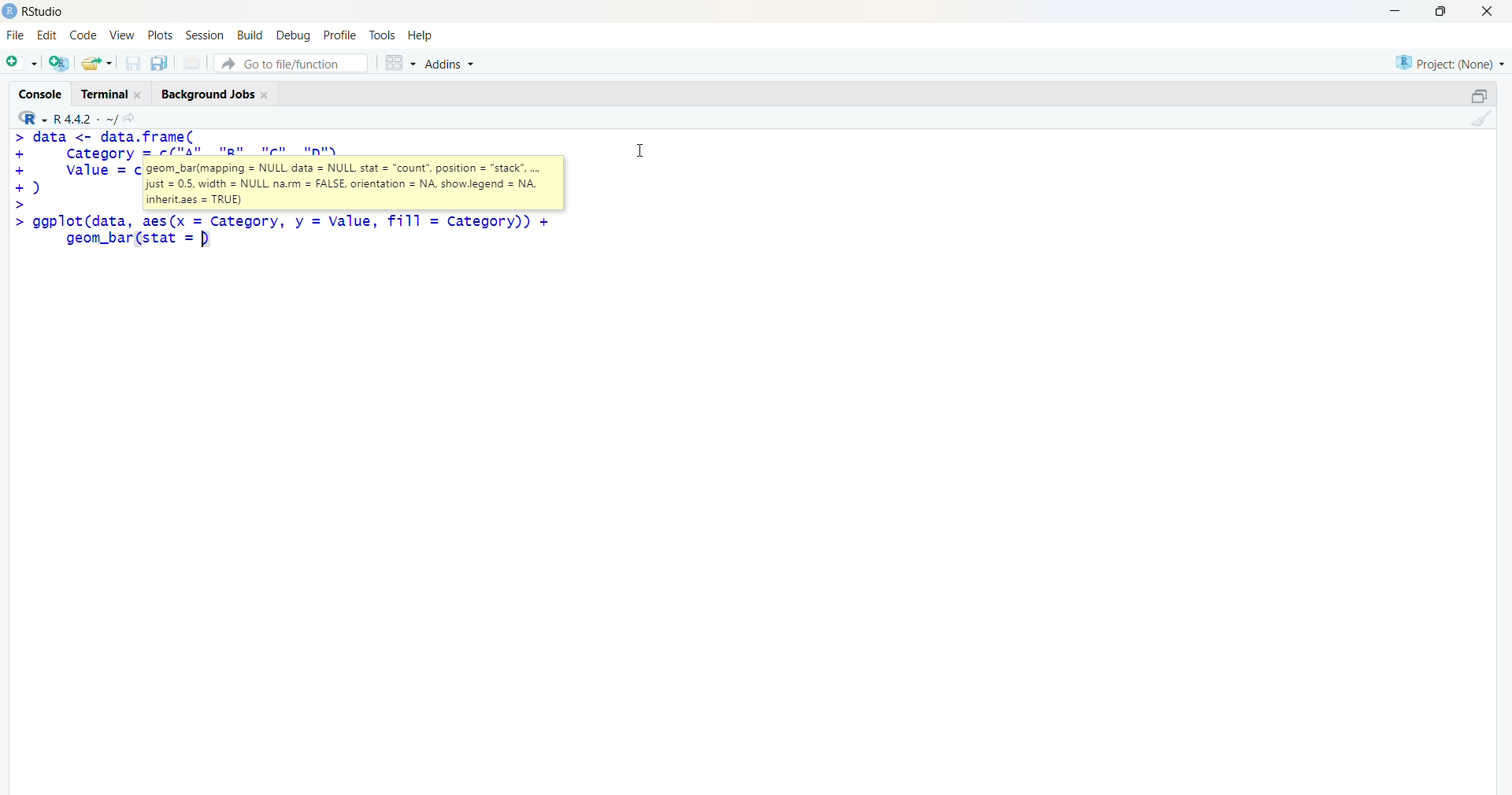 The width and height of the screenshot is (1512, 795). What do you see at coordinates (47, 35) in the screenshot?
I see `edit` at bounding box center [47, 35].